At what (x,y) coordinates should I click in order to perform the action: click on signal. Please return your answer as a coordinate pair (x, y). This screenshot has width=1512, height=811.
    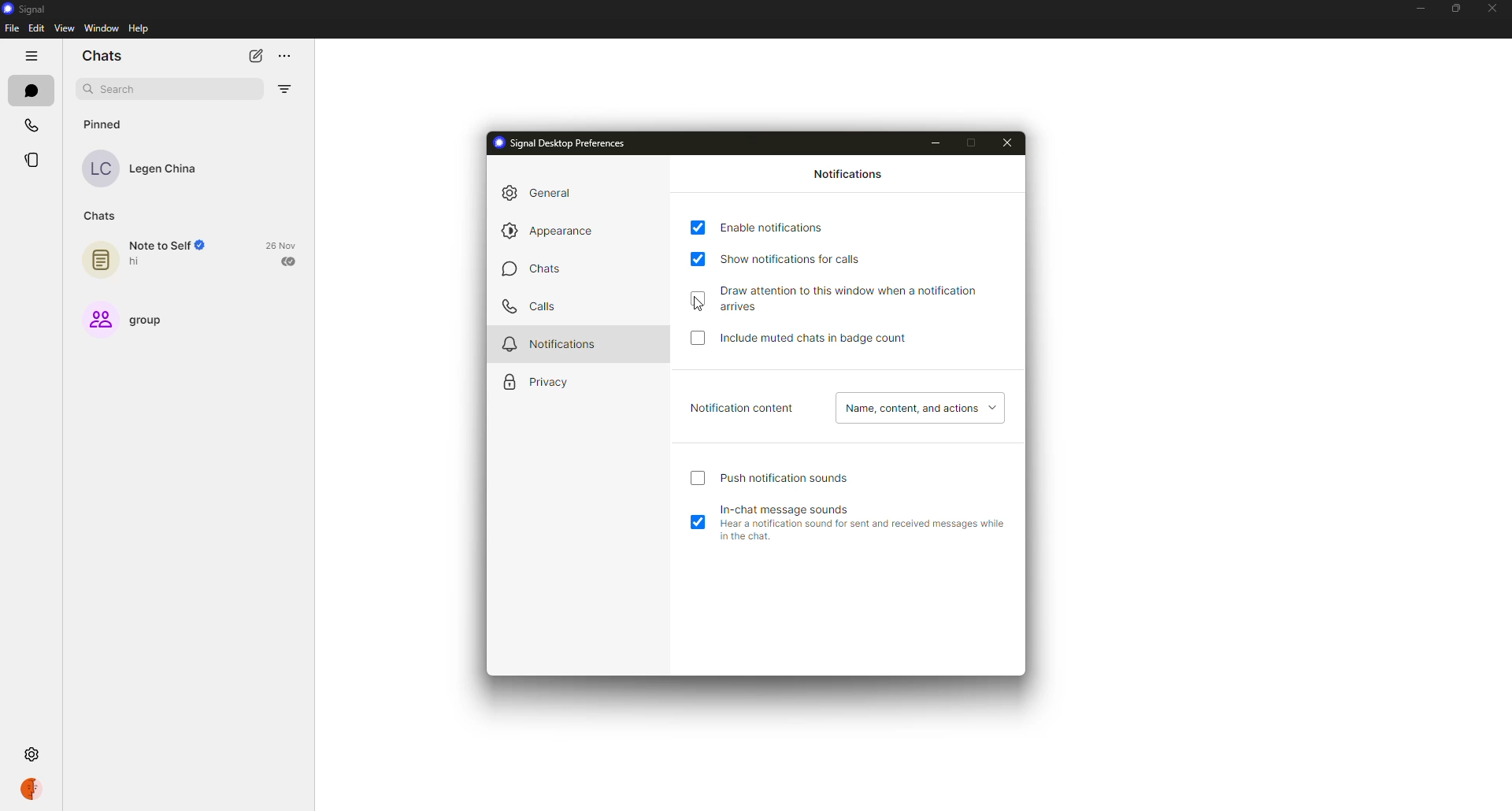
    Looking at the image, I should click on (27, 8).